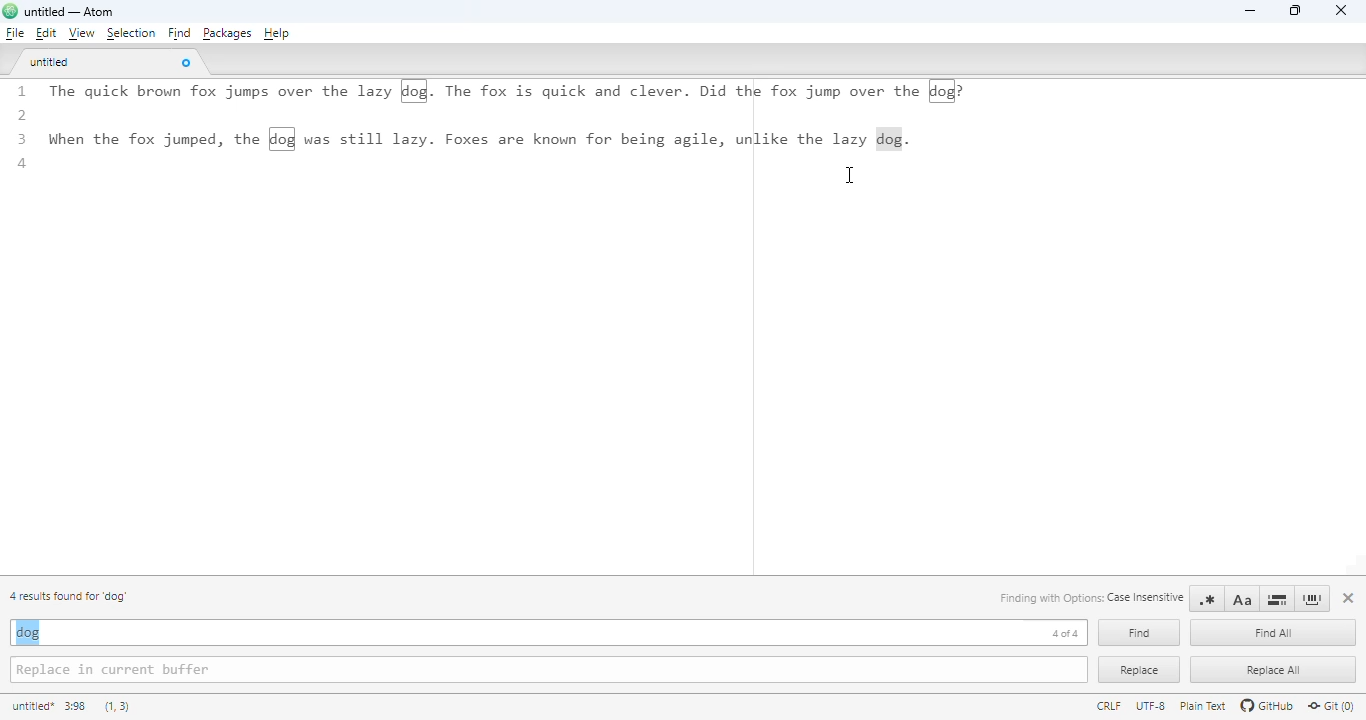  I want to click on edit, so click(45, 33).